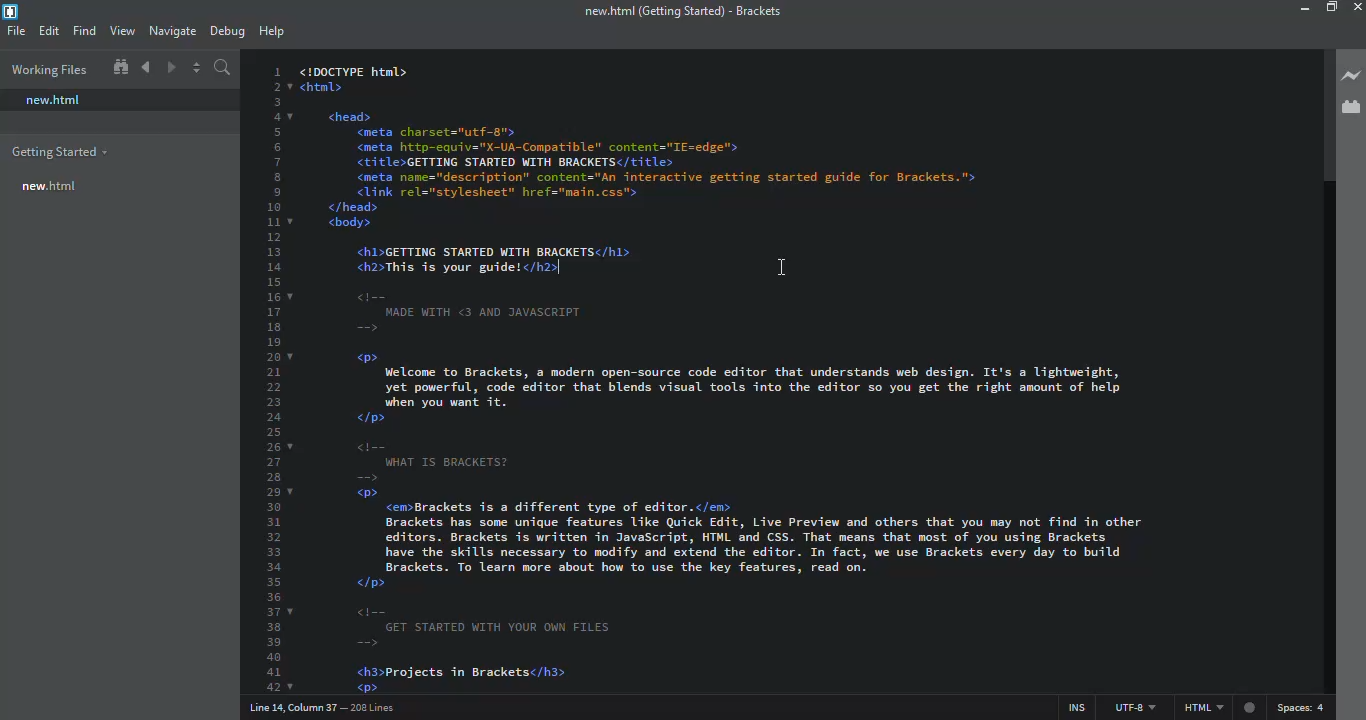 The height and width of the screenshot is (720, 1366). Describe the element at coordinates (229, 29) in the screenshot. I see `debug` at that location.